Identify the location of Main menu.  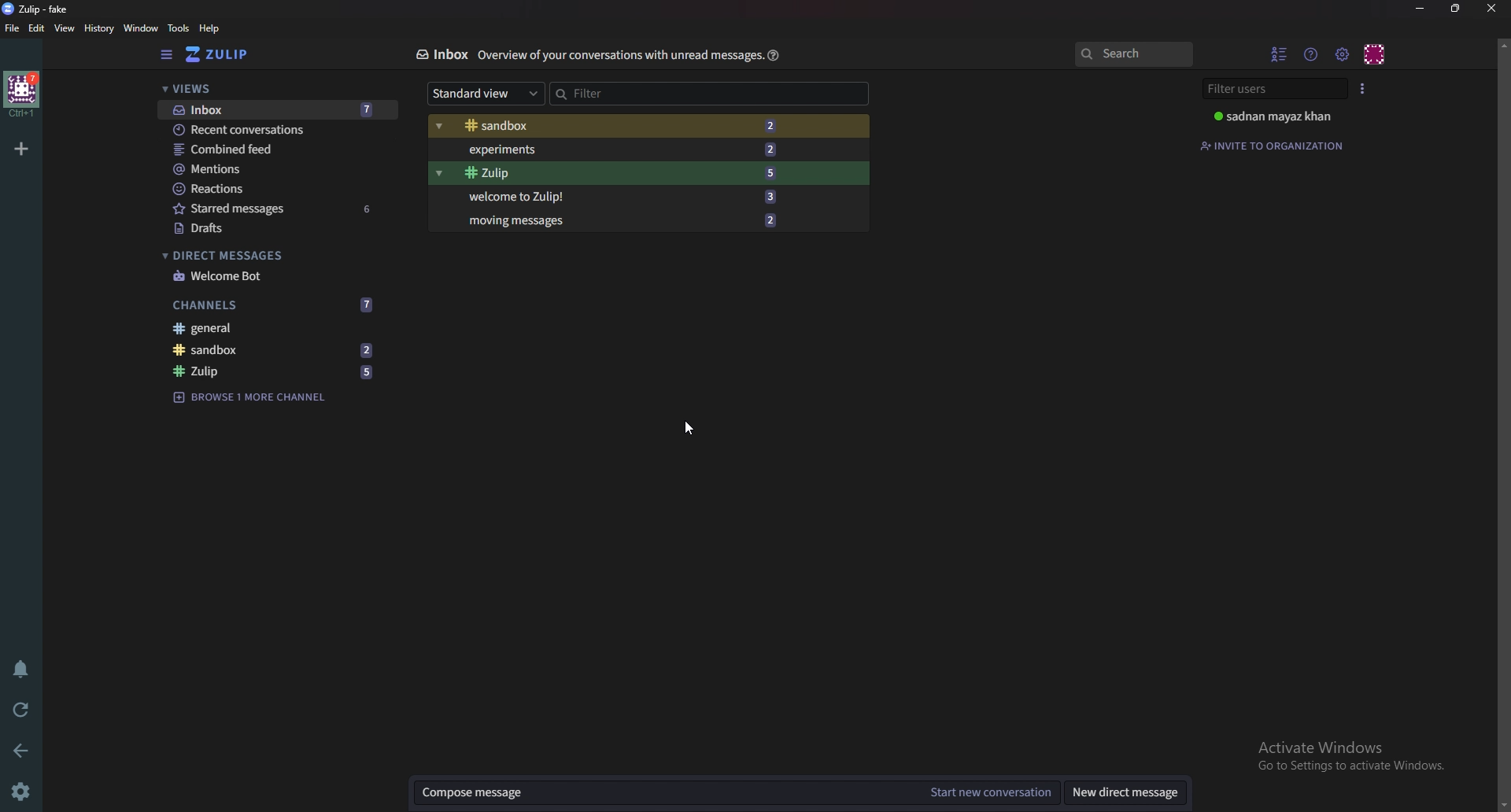
(1342, 55).